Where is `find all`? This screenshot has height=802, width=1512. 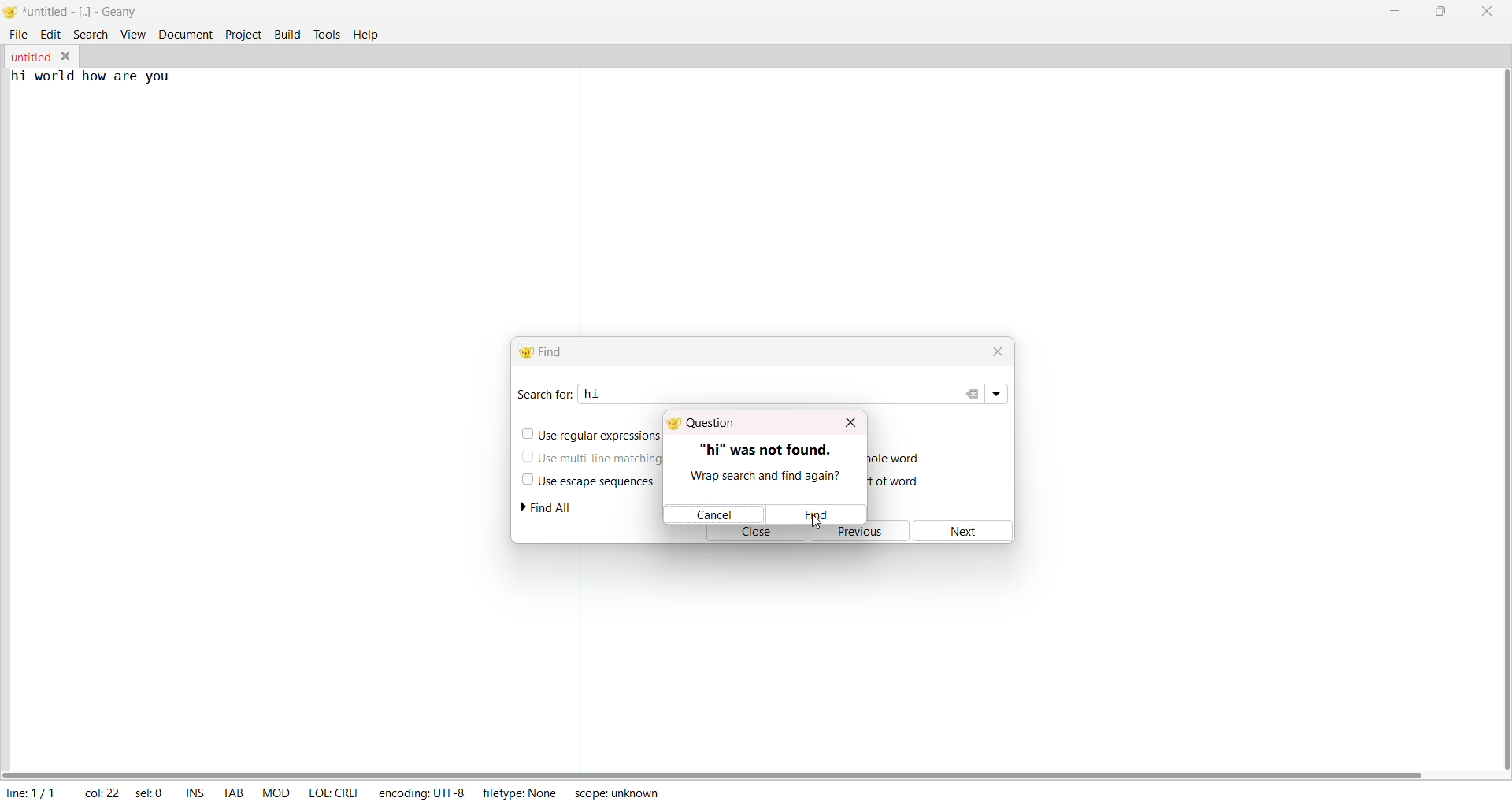 find all is located at coordinates (542, 507).